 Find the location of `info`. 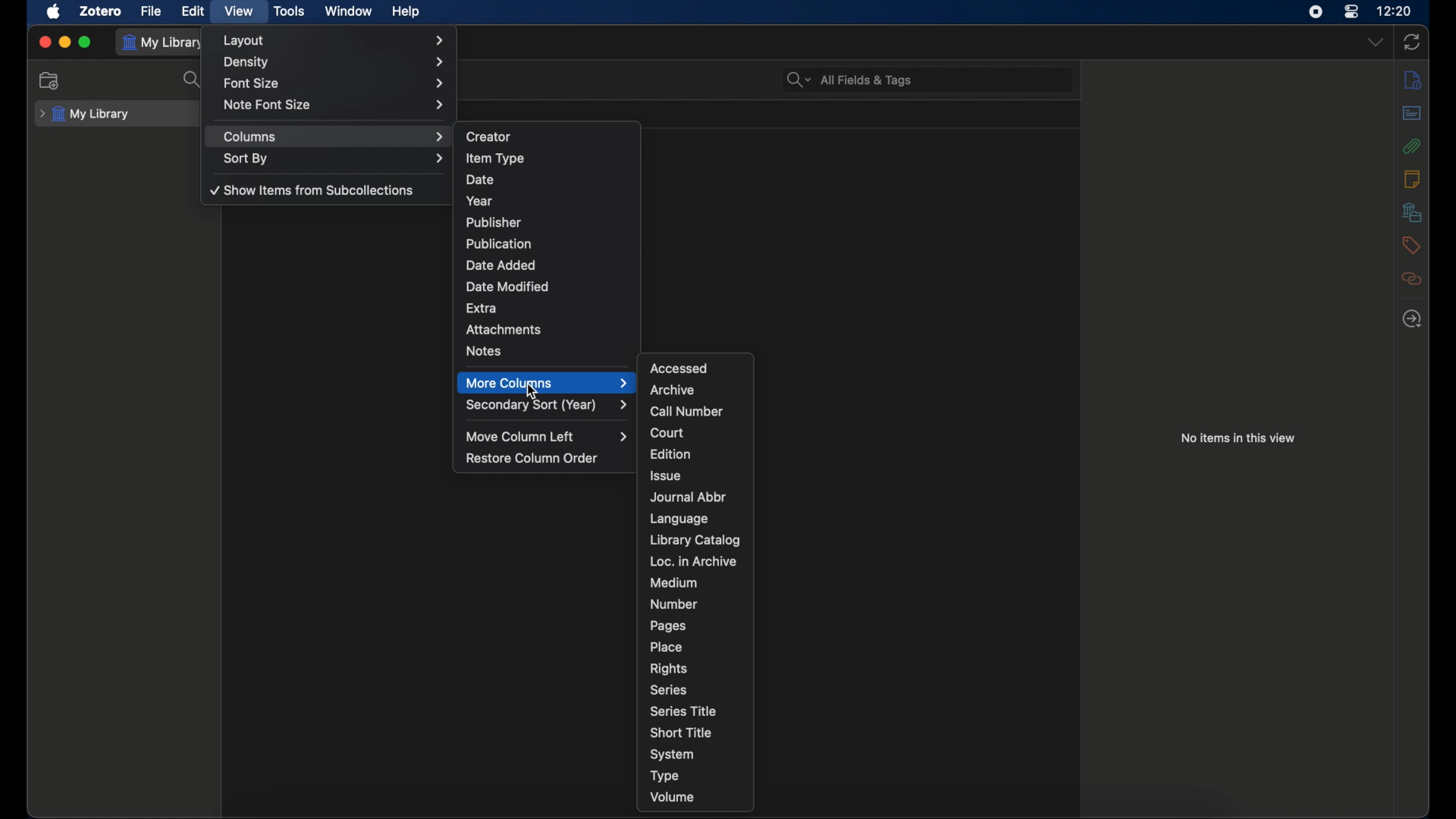

info is located at coordinates (1414, 80).